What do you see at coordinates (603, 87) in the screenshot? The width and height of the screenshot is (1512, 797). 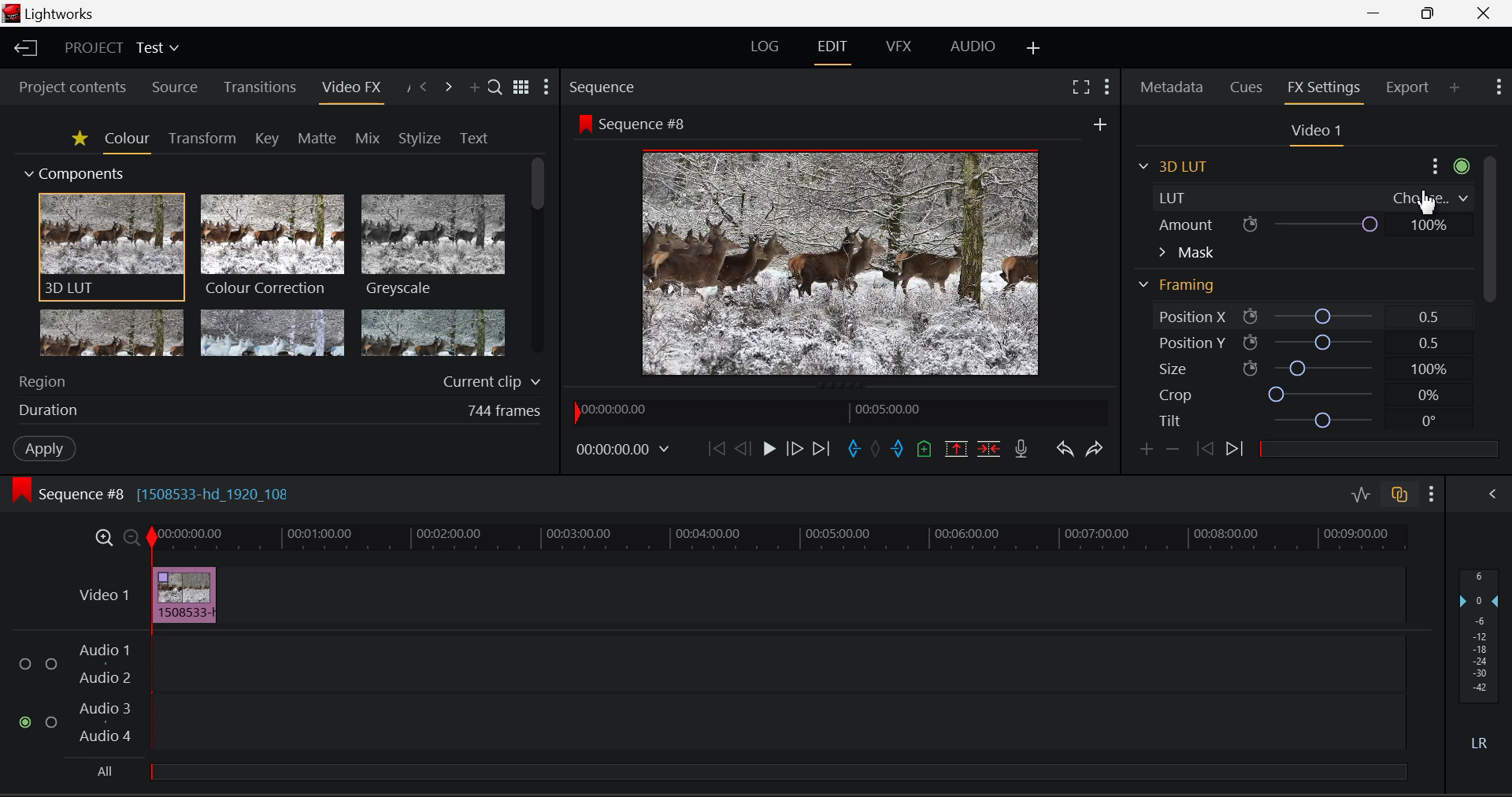 I see `Sequence Preview Section` at bounding box center [603, 87].